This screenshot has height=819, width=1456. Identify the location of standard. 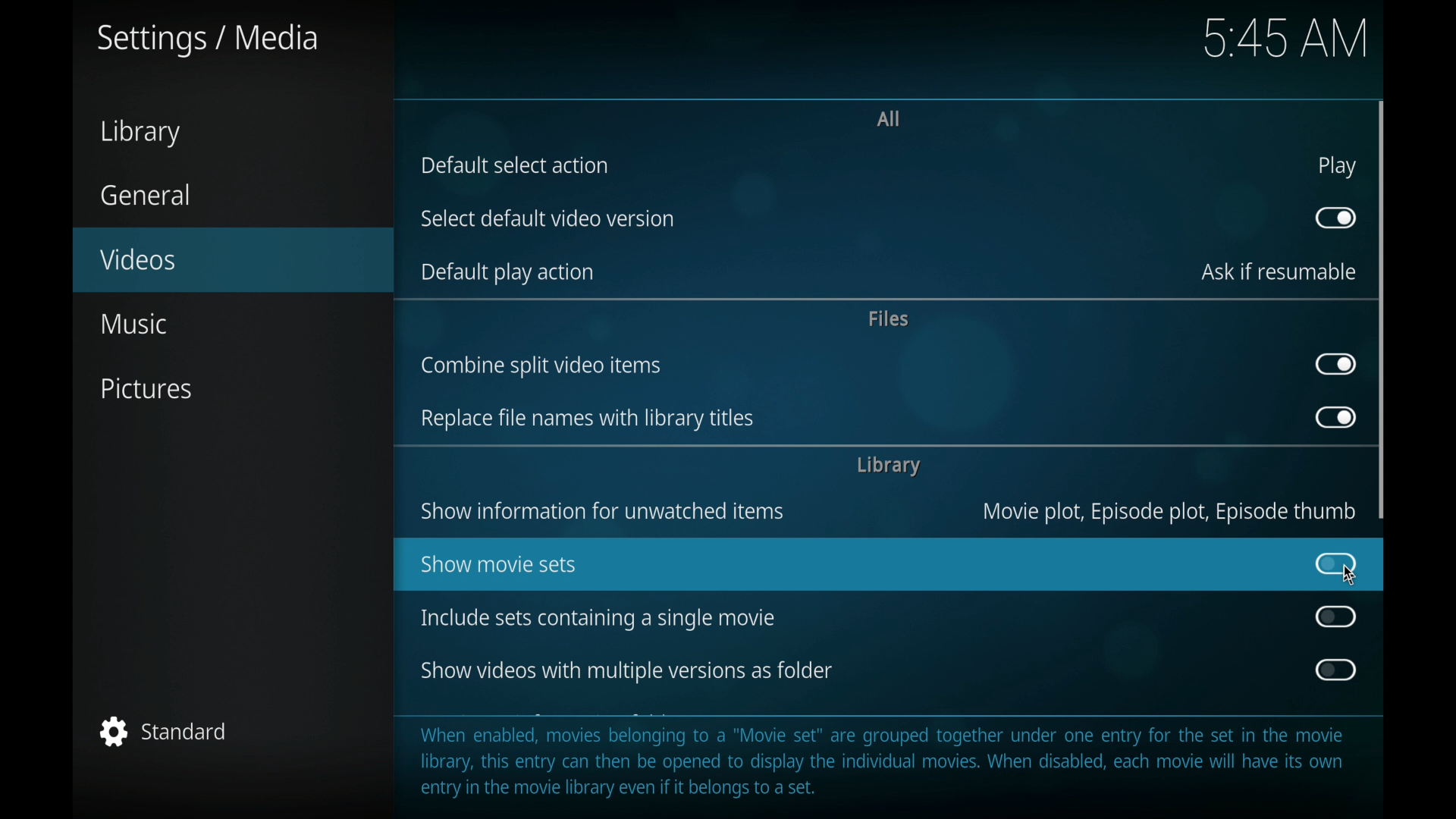
(164, 731).